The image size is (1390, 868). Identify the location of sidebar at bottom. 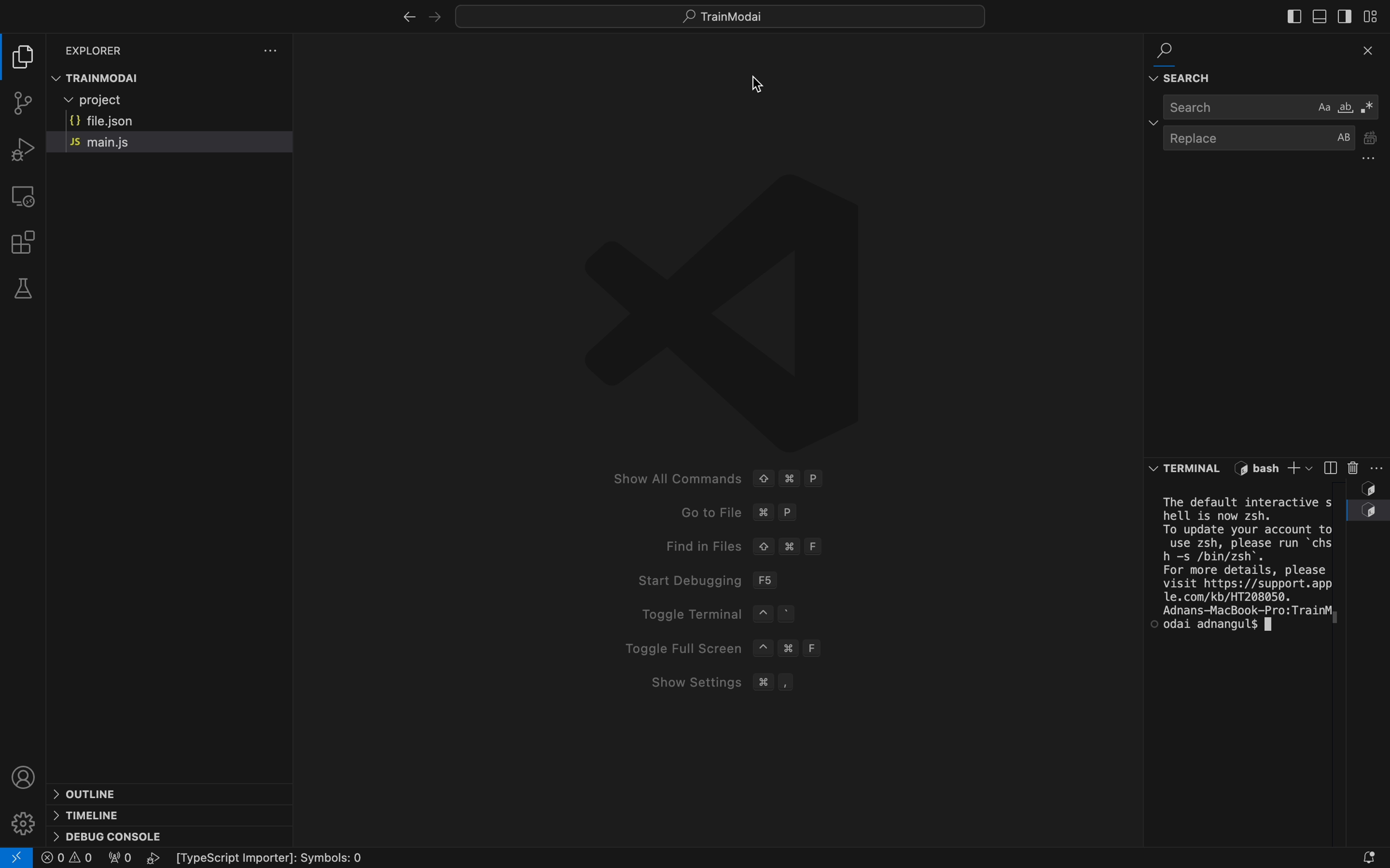
(1316, 16).